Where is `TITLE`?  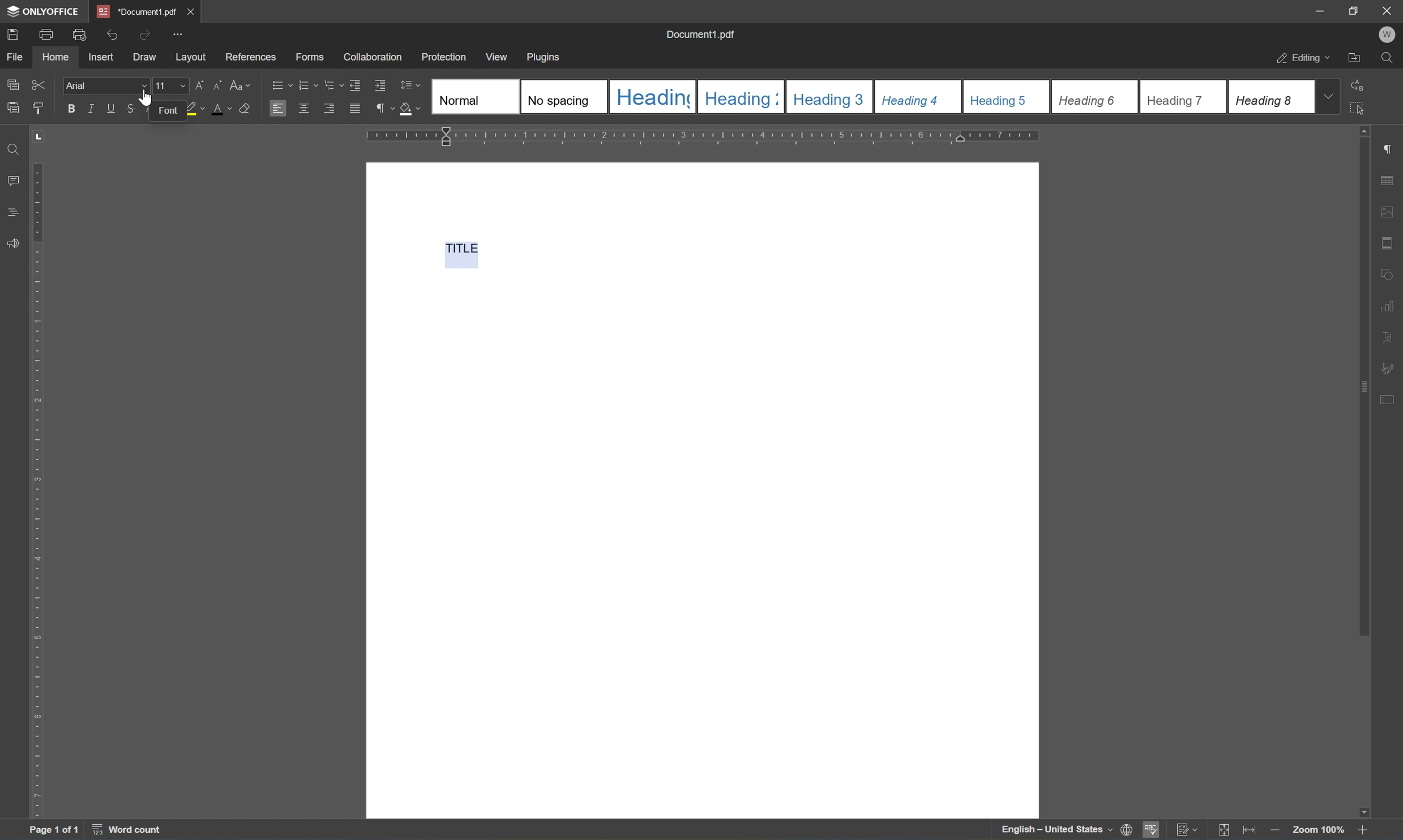 TITLE is located at coordinates (458, 251).